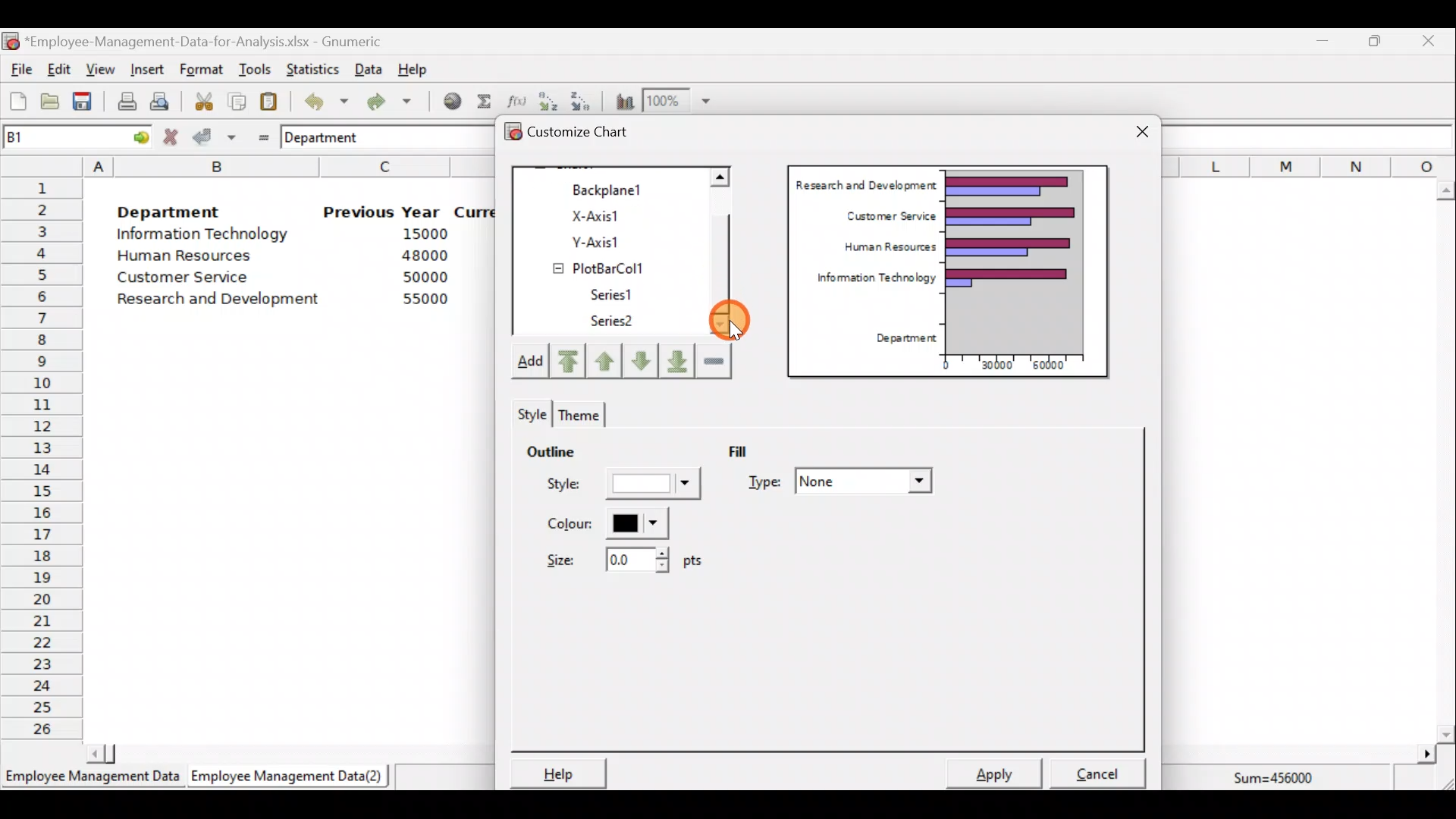 The image size is (1456, 819). I want to click on Minimize, so click(1319, 44).